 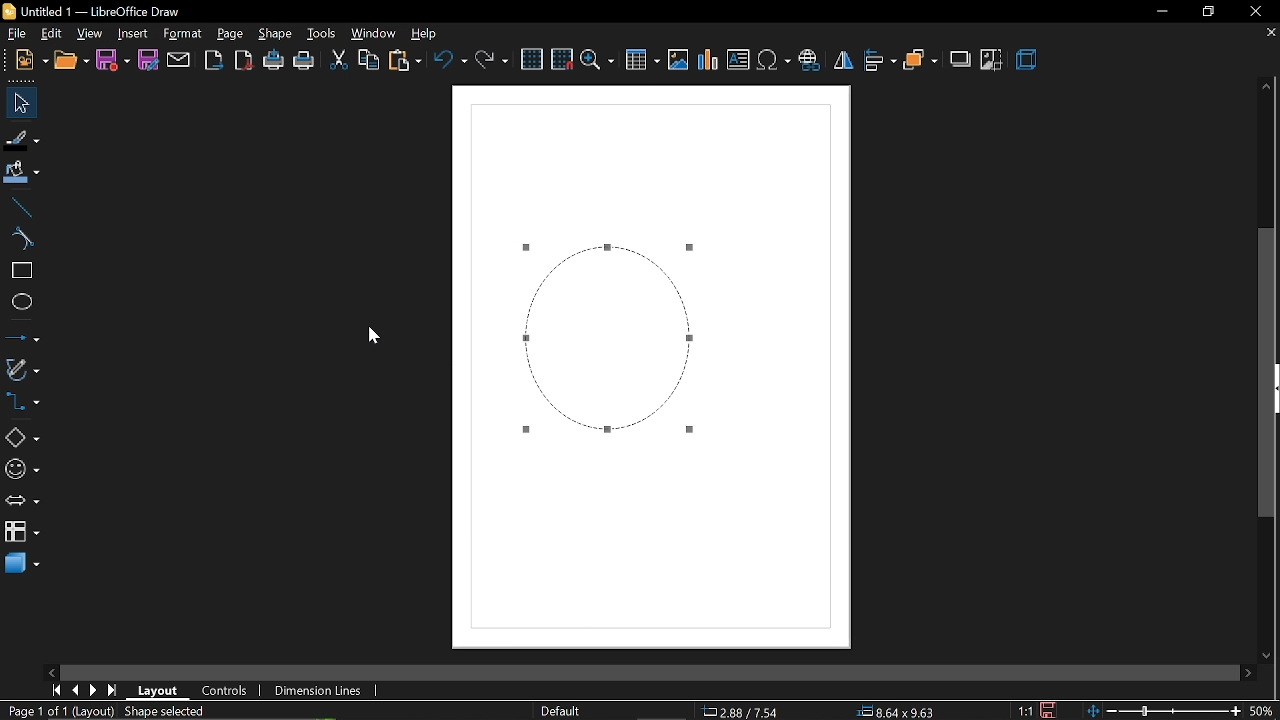 What do you see at coordinates (24, 471) in the screenshot?
I see ` symbol shapes` at bounding box center [24, 471].